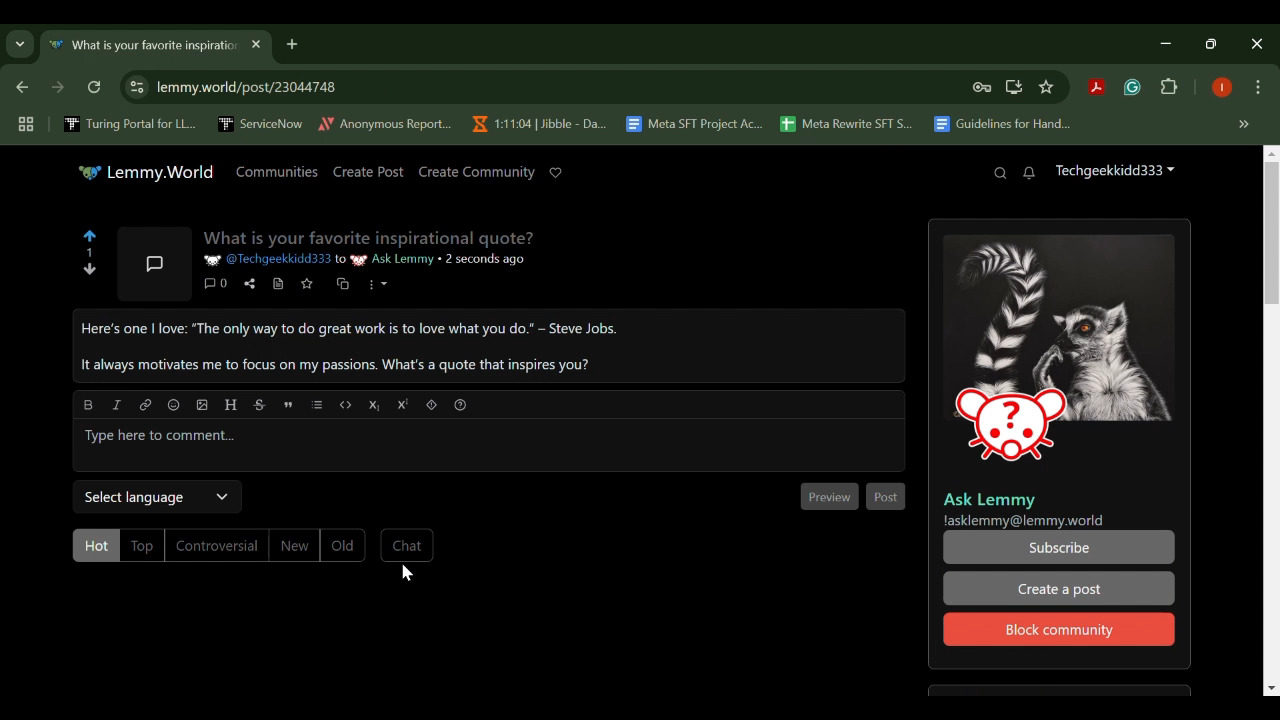  Describe the element at coordinates (1062, 343) in the screenshot. I see `Community Media` at that location.